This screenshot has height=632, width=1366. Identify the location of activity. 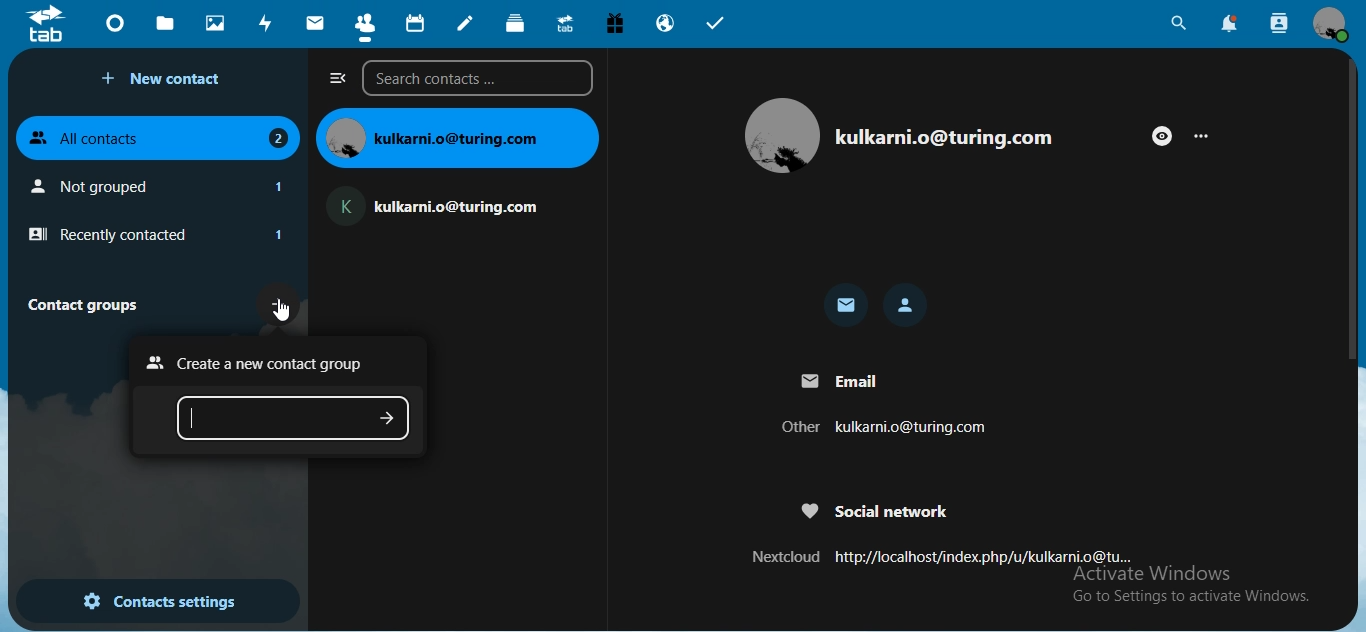
(267, 23).